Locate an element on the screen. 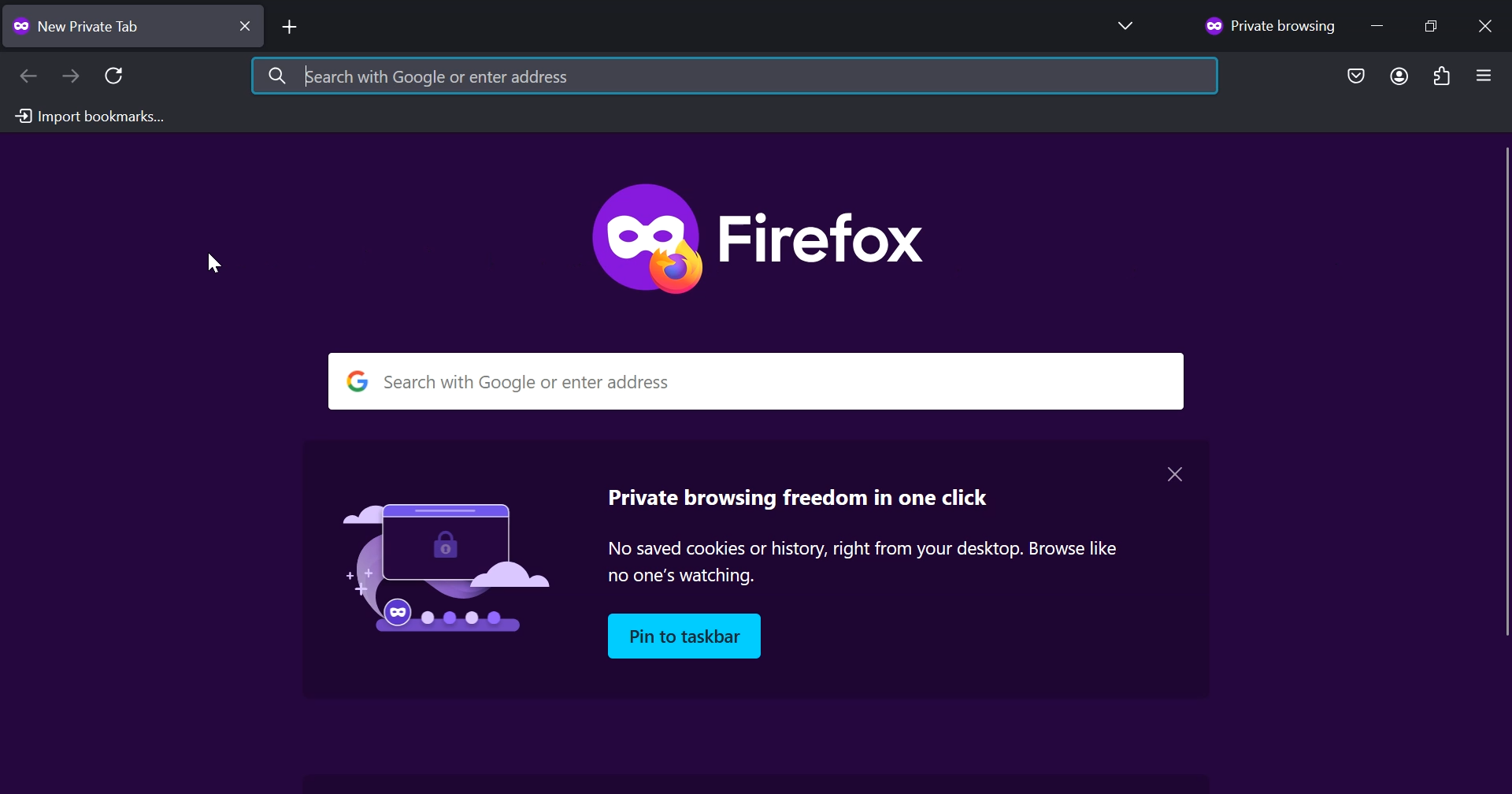  no saved cookies or history, right from your desktop. browse like no one's watching. is located at coordinates (861, 562).